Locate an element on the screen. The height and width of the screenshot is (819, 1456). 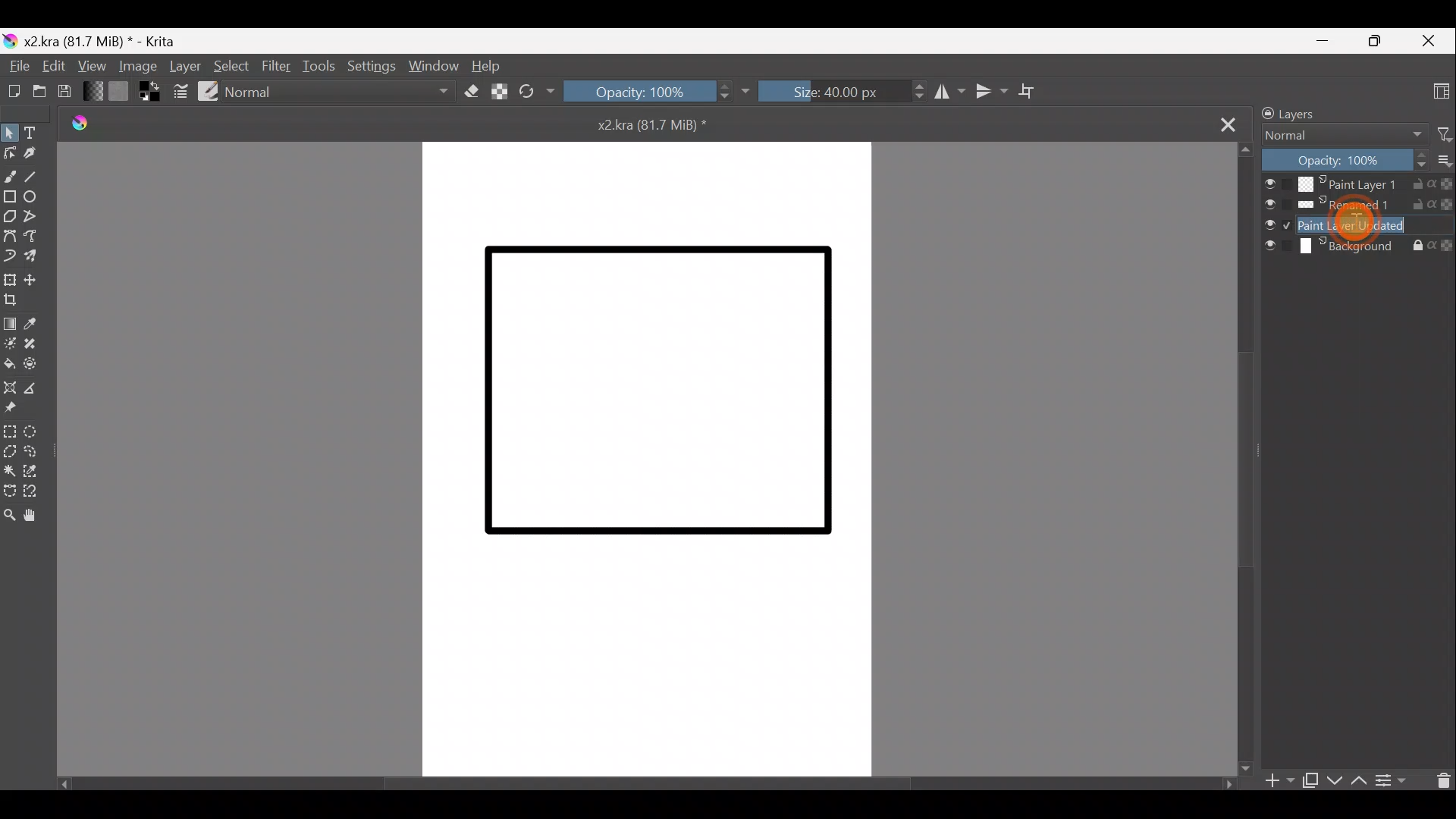
Minimize is located at coordinates (1324, 42).